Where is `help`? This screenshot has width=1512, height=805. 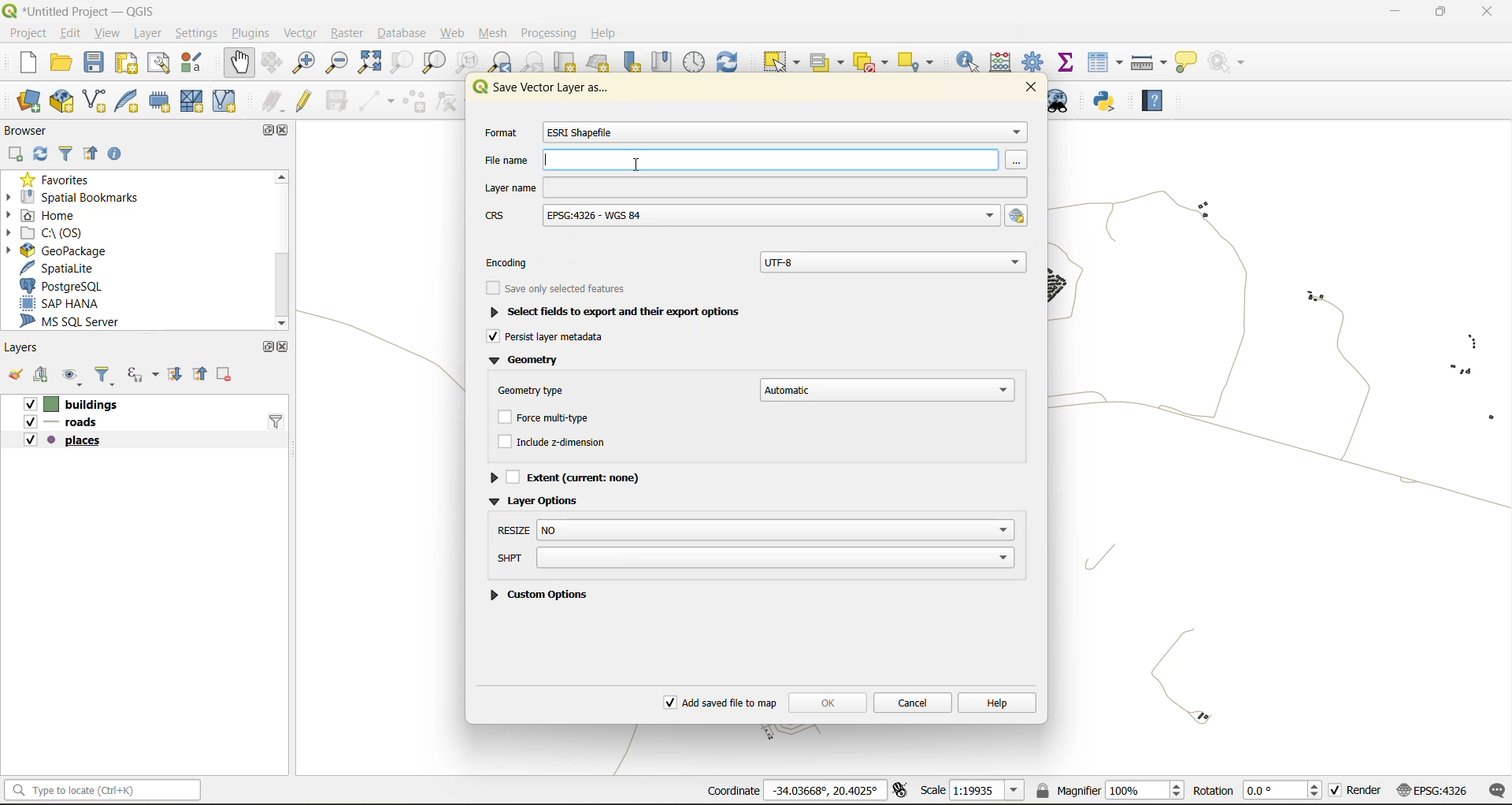 help is located at coordinates (1157, 97).